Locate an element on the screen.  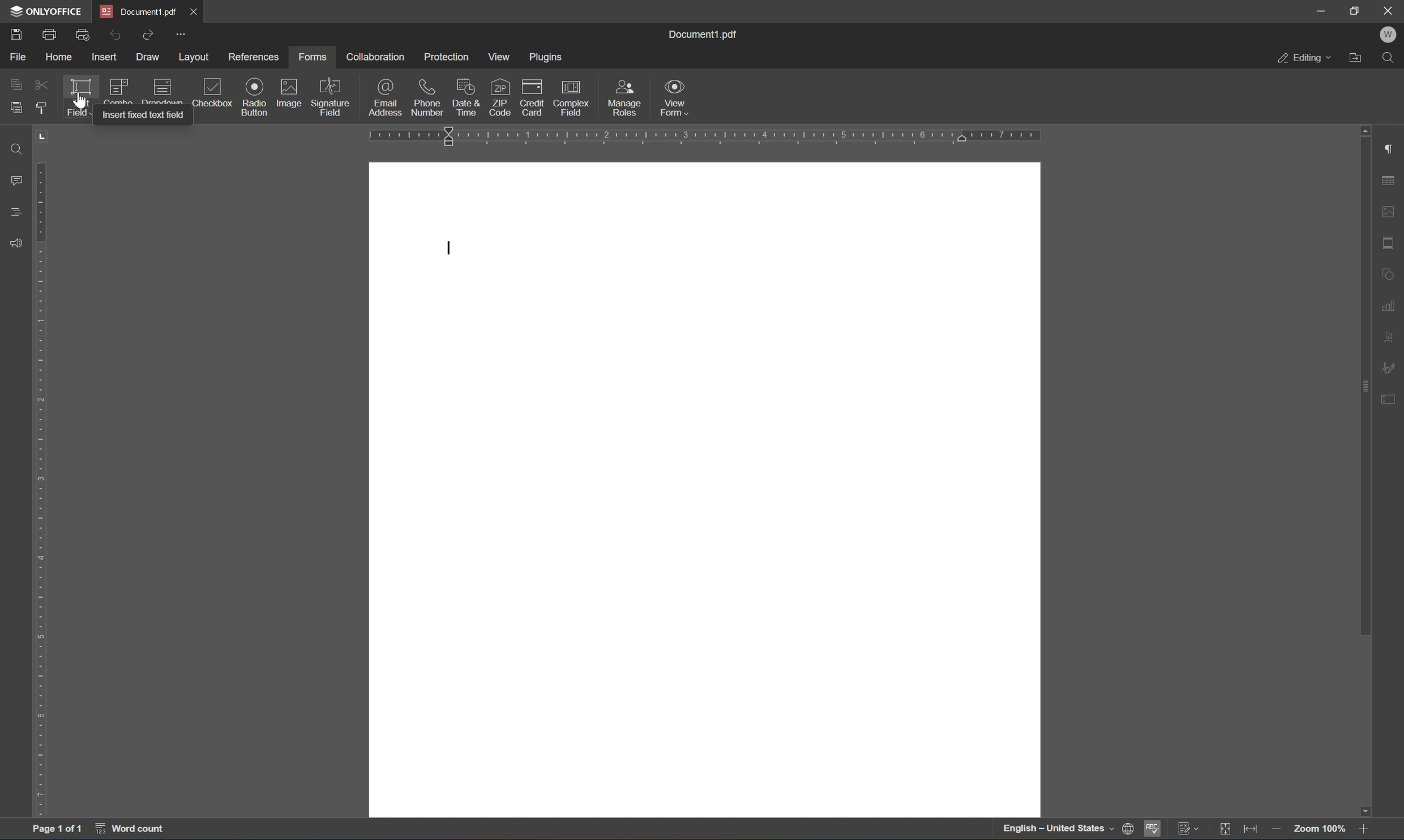
phone number is located at coordinates (427, 97).